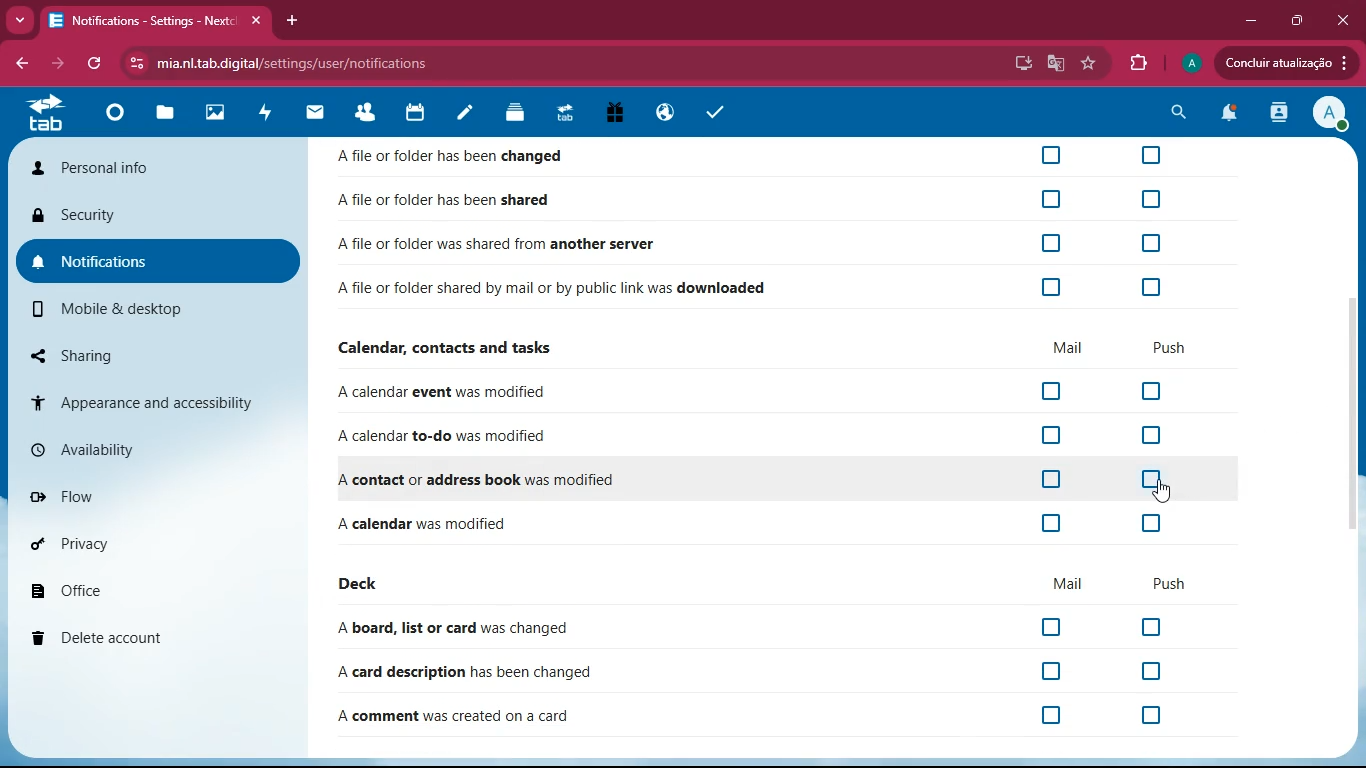 This screenshot has width=1366, height=768. What do you see at coordinates (1057, 715) in the screenshot?
I see `off` at bounding box center [1057, 715].